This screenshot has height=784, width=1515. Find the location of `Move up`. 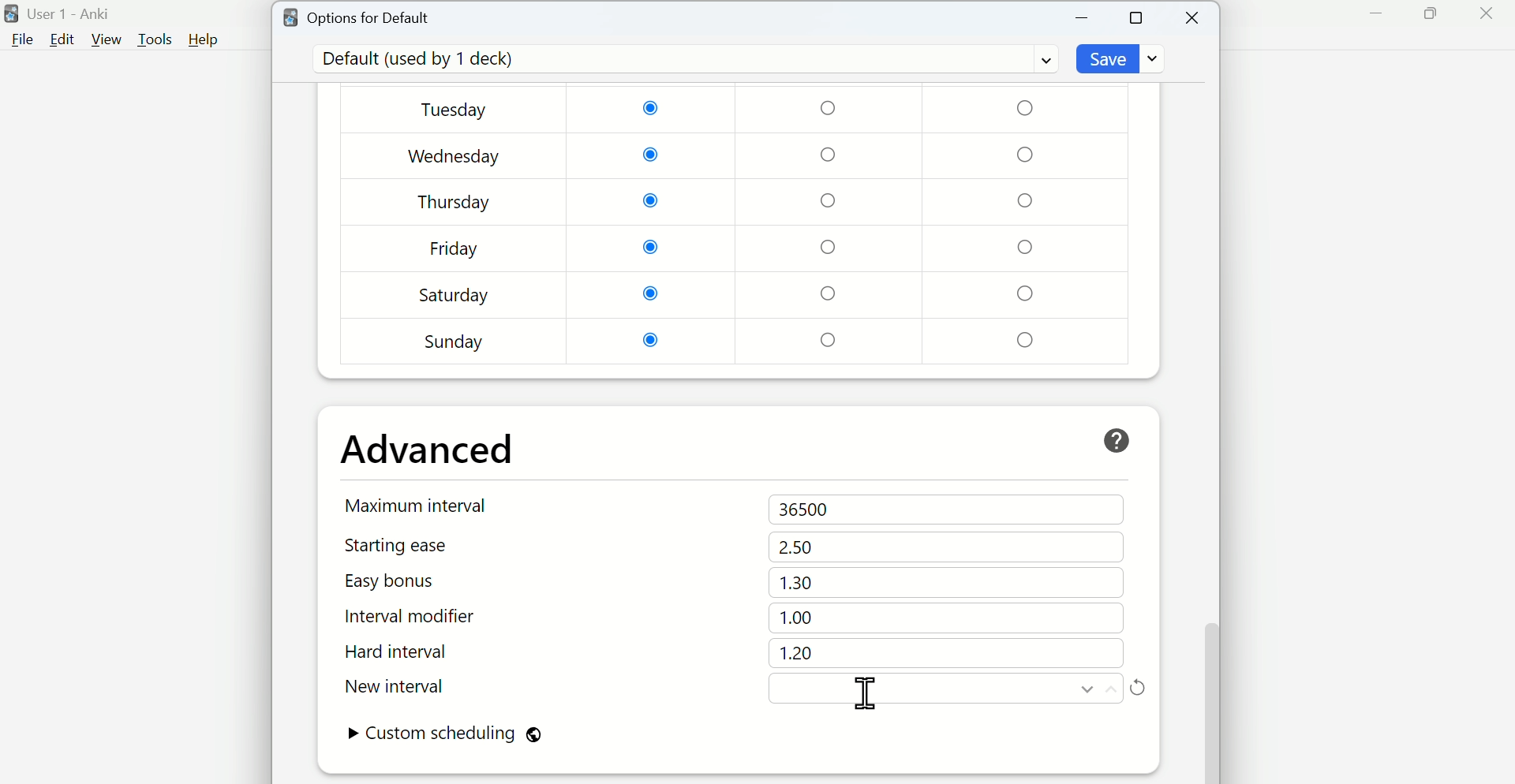

Move up is located at coordinates (1111, 689).